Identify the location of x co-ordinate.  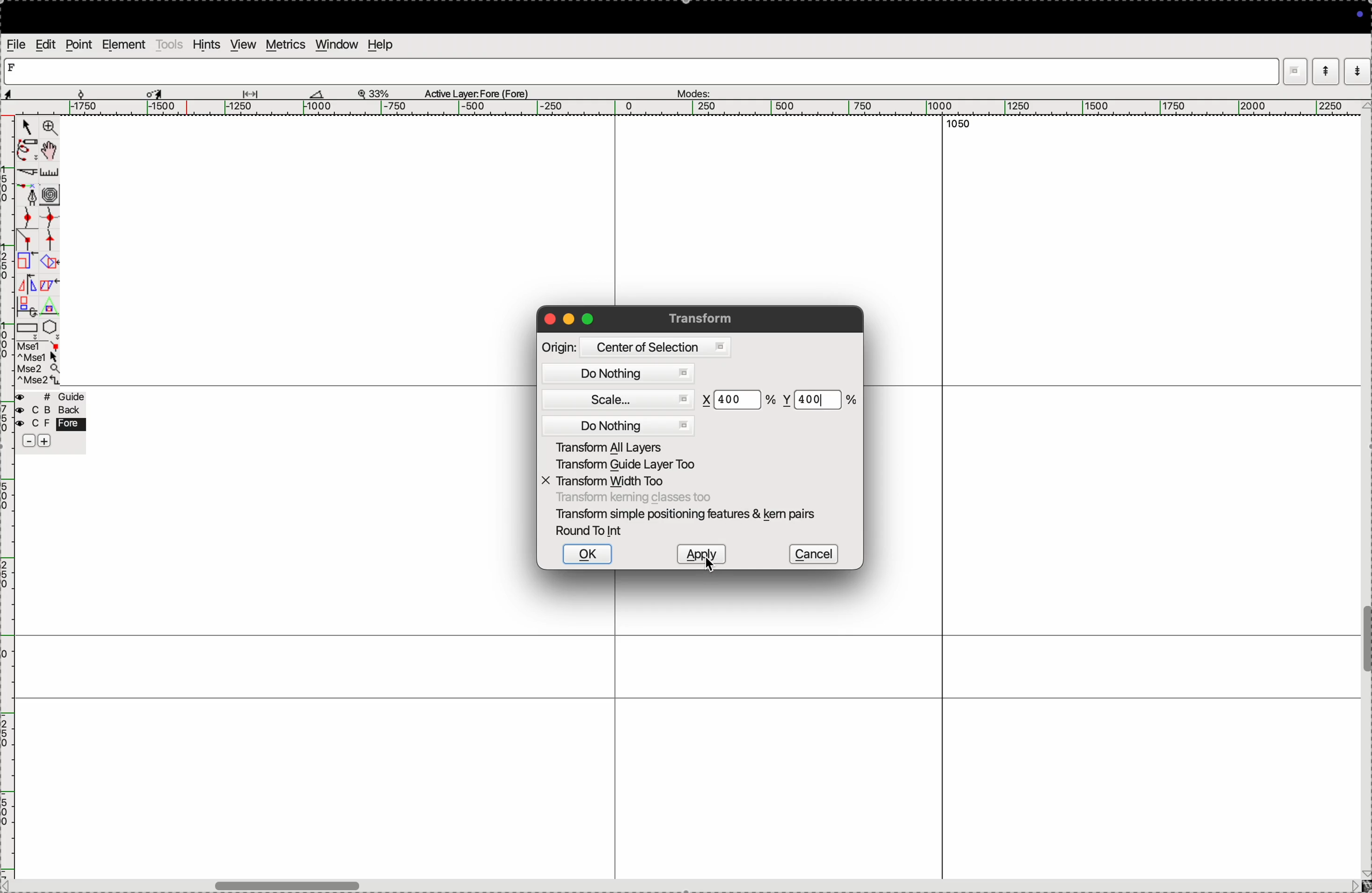
(708, 401).